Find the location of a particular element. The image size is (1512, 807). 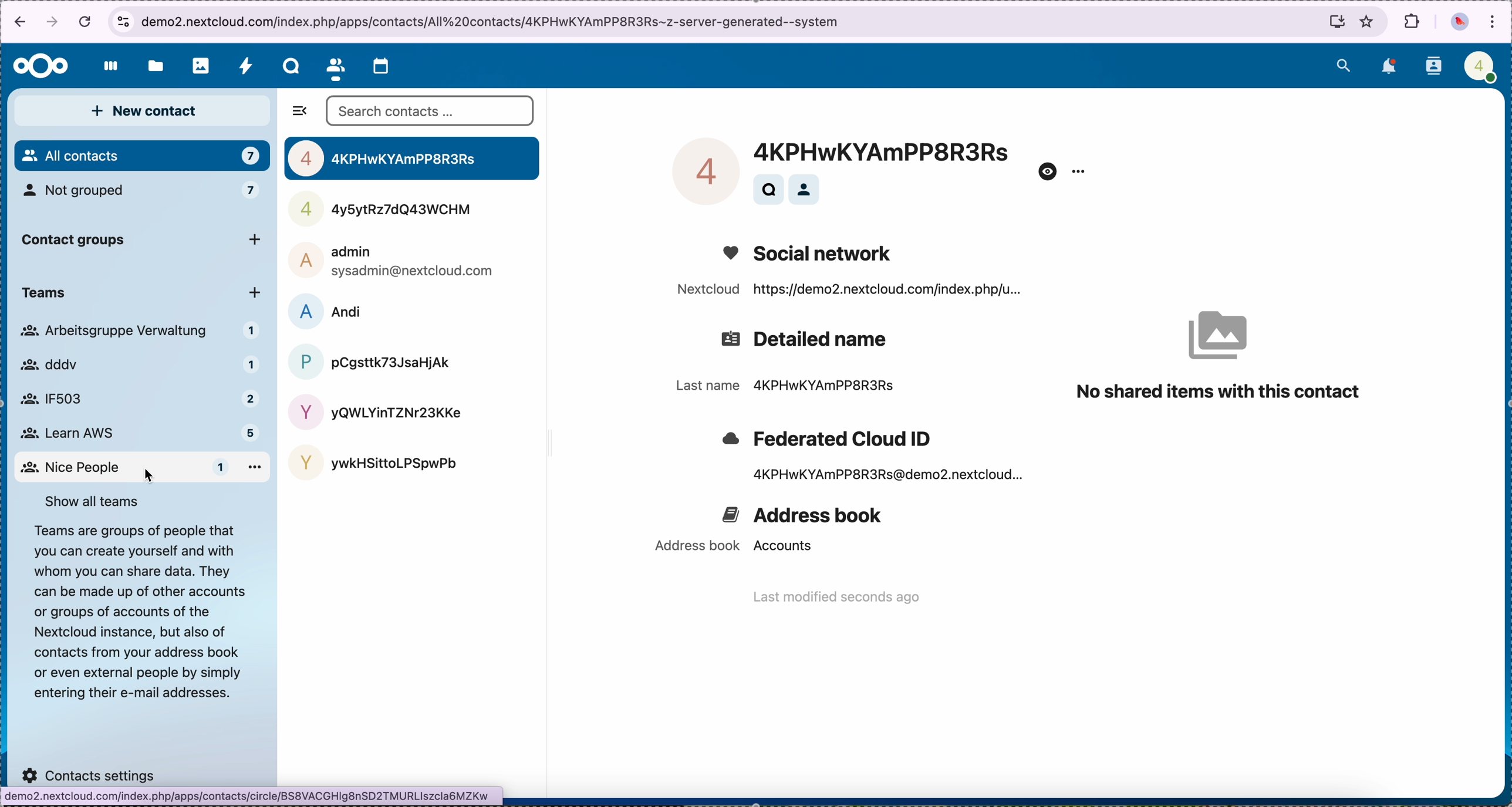

address book is located at coordinates (804, 518).